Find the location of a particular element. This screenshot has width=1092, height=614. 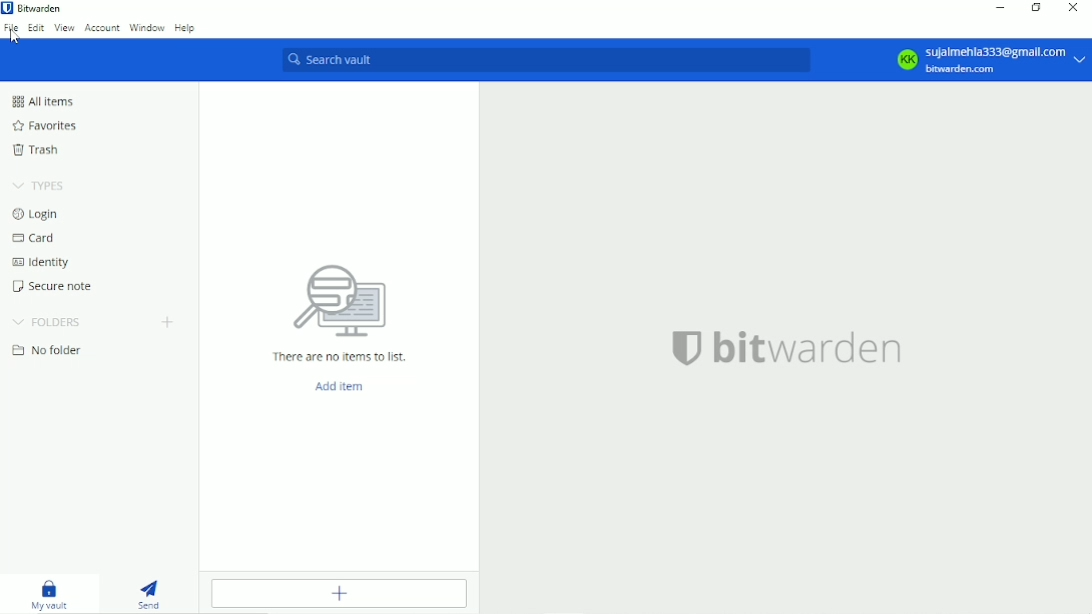

cursor is located at coordinates (16, 39).